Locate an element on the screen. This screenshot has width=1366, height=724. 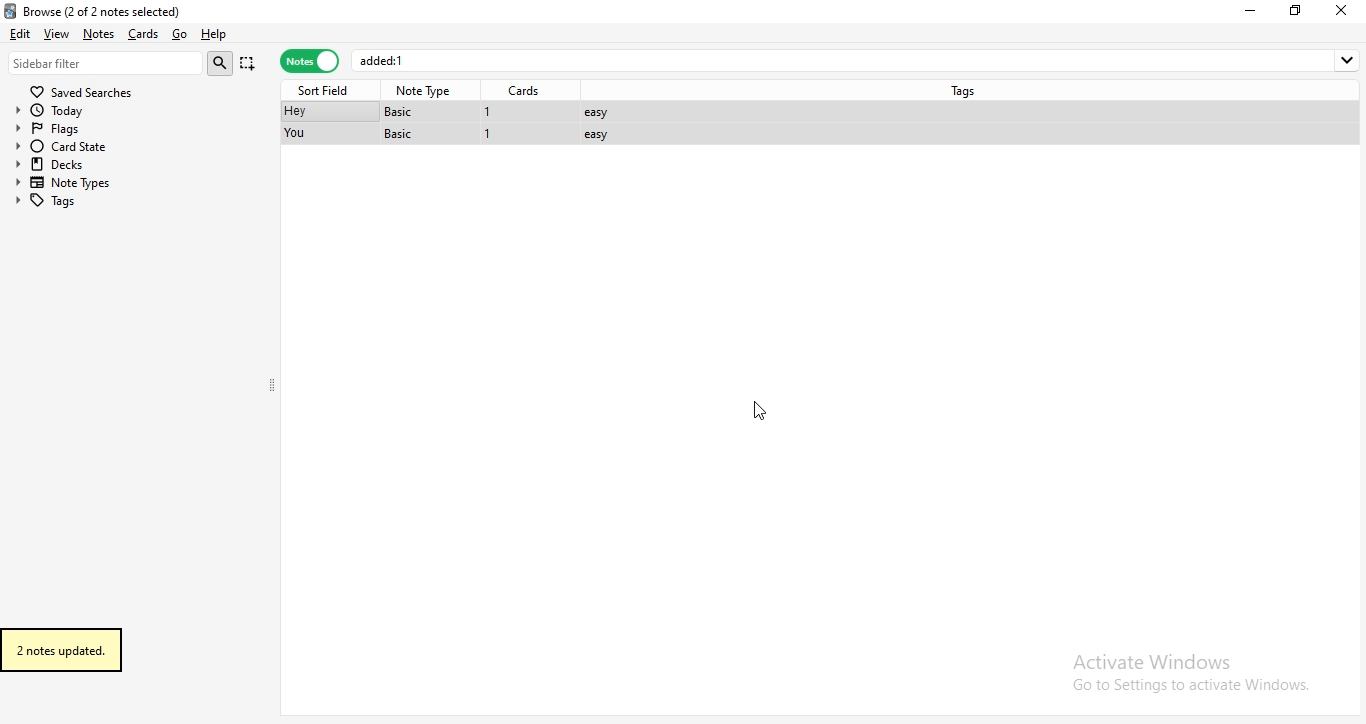
hey is located at coordinates (294, 112).